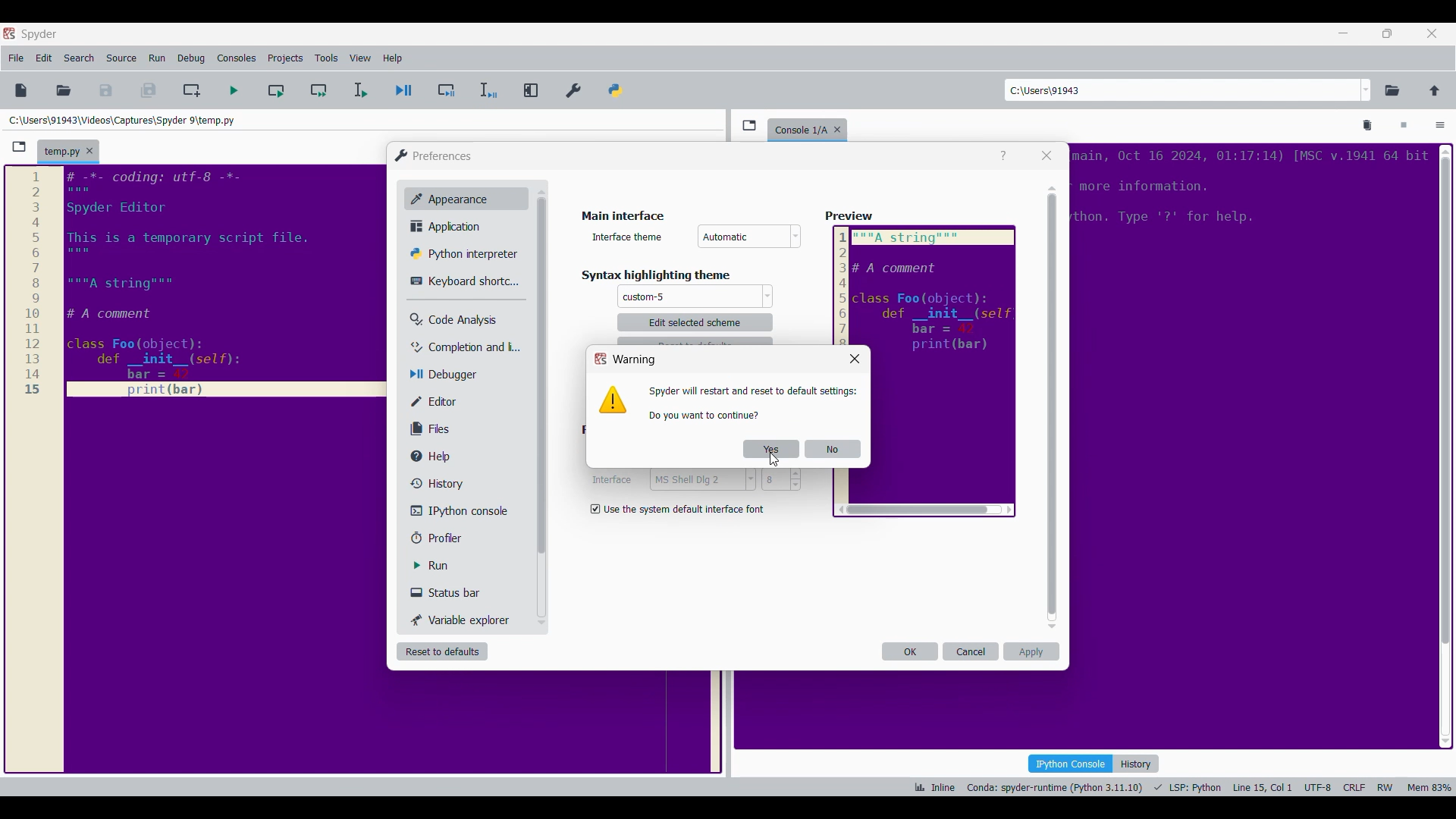  I want to click on Debug menu, so click(192, 58).